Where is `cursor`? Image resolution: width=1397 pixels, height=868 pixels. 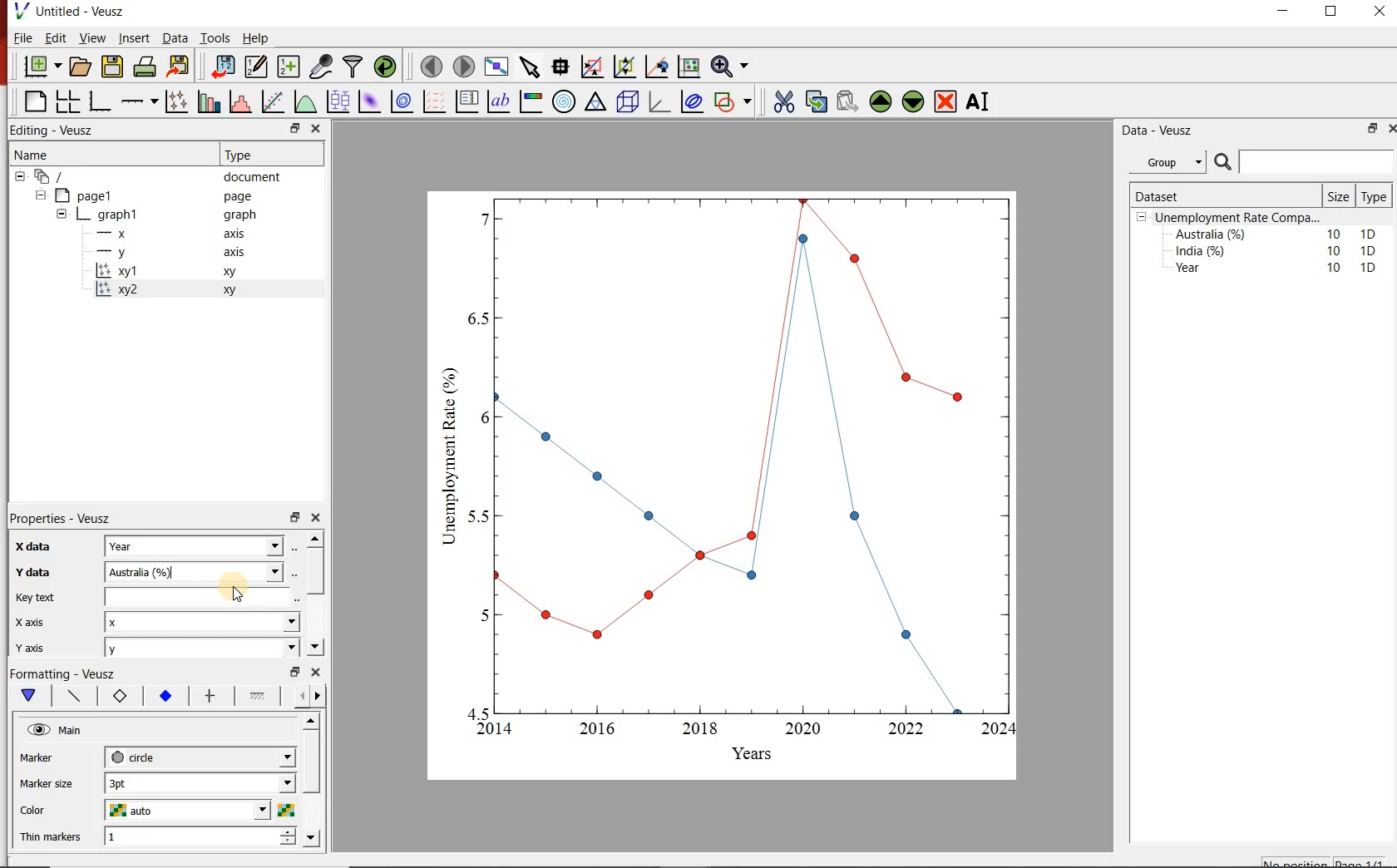
cursor is located at coordinates (239, 594).